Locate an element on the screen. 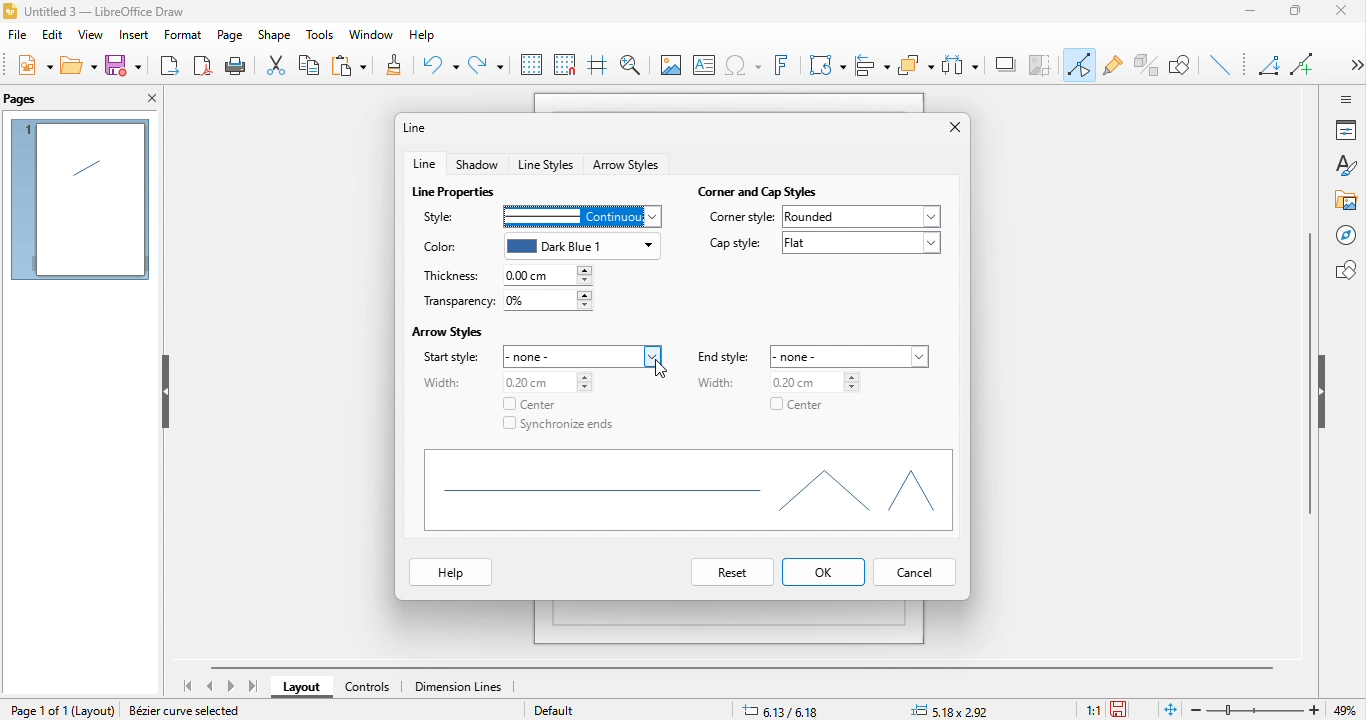 Image resolution: width=1366 pixels, height=720 pixels. start style is located at coordinates (450, 358).